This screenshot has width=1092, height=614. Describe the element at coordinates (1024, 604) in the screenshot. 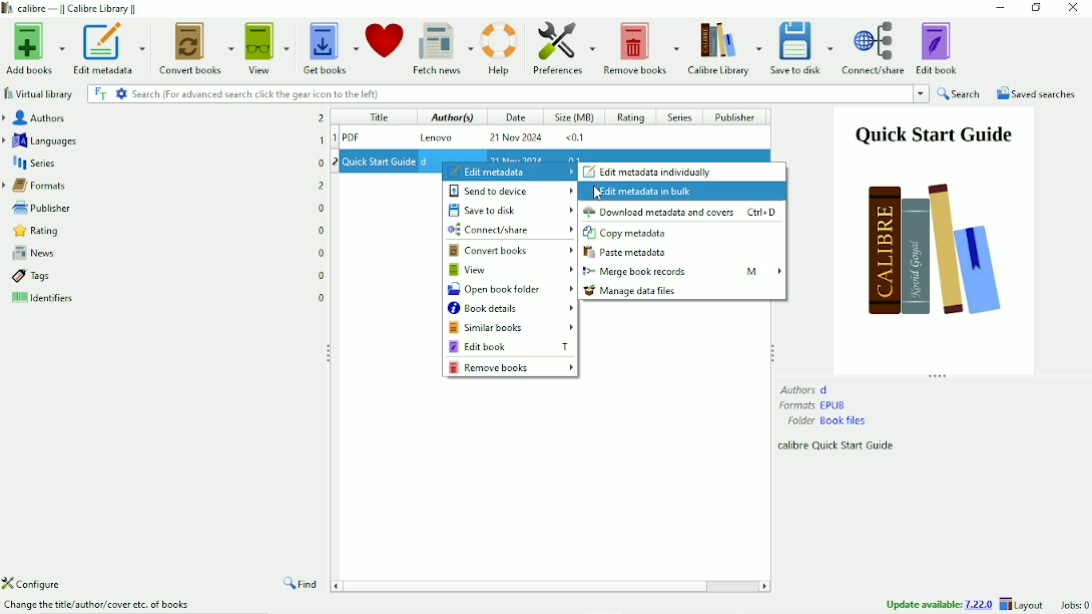

I see `Layout` at that location.